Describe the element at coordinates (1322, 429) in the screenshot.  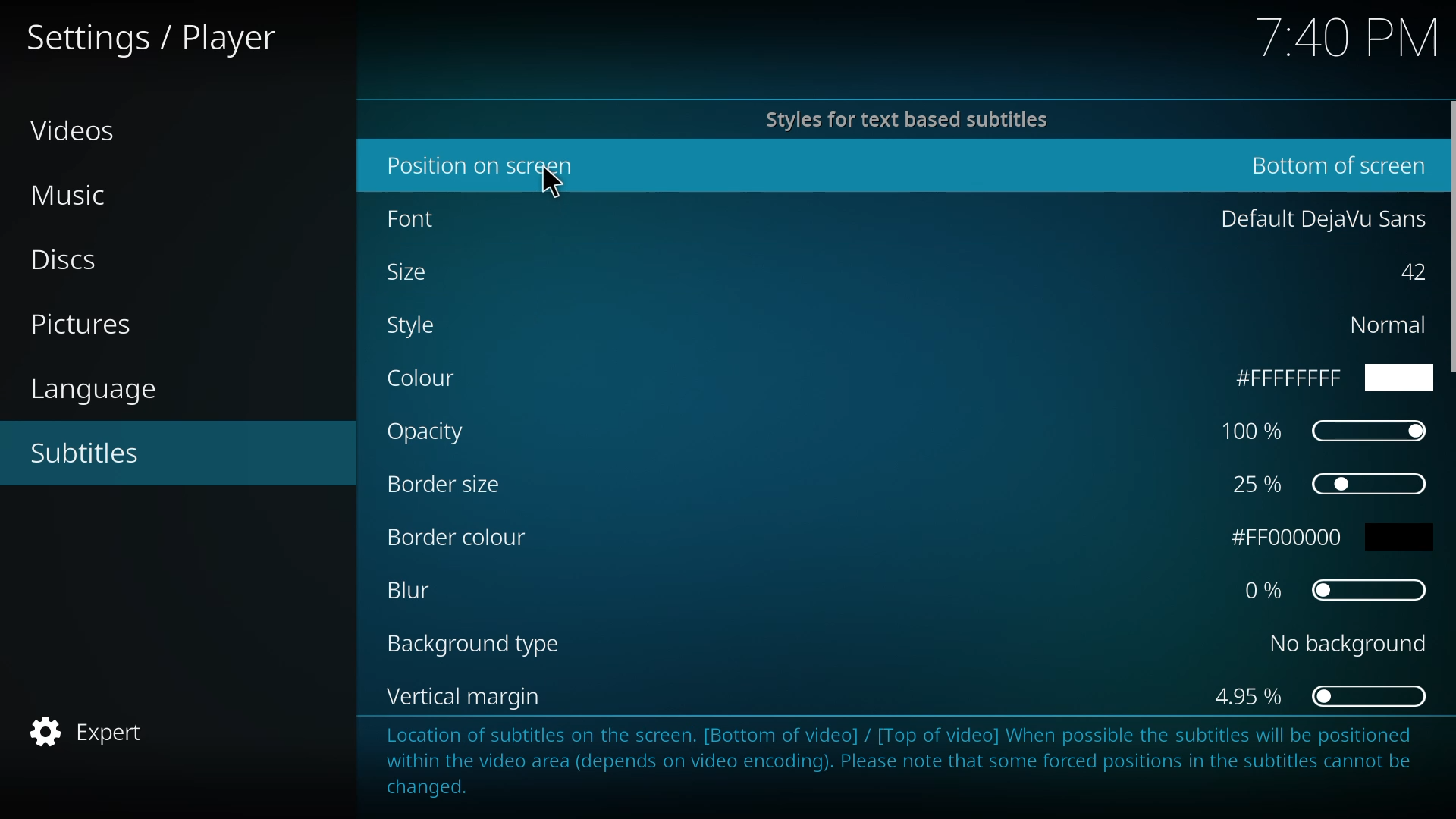
I see `100` at that location.